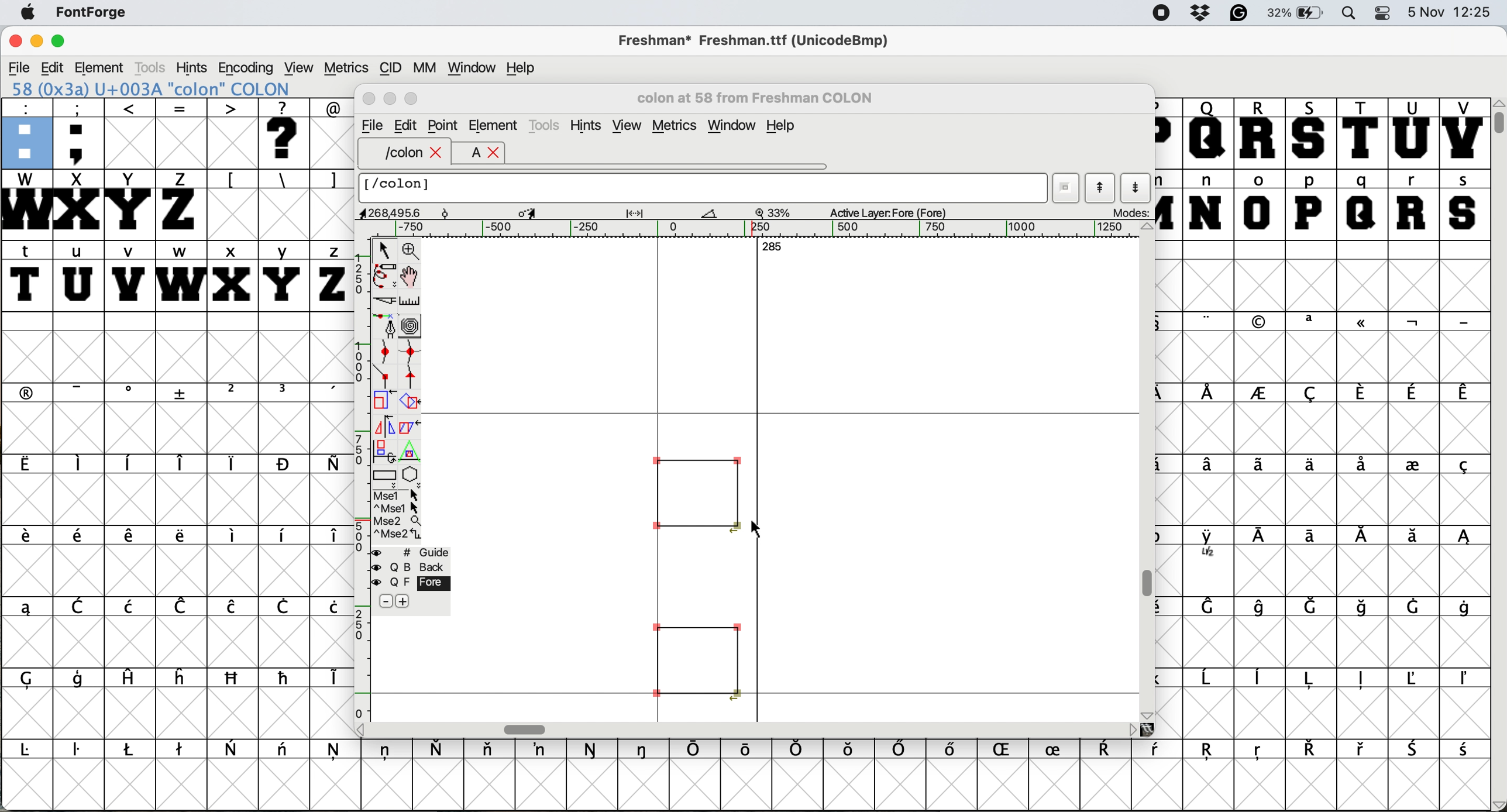 The image size is (1507, 812). What do you see at coordinates (80, 681) in the screenshot?
I see `symbol` at bounding box center [80, 681].